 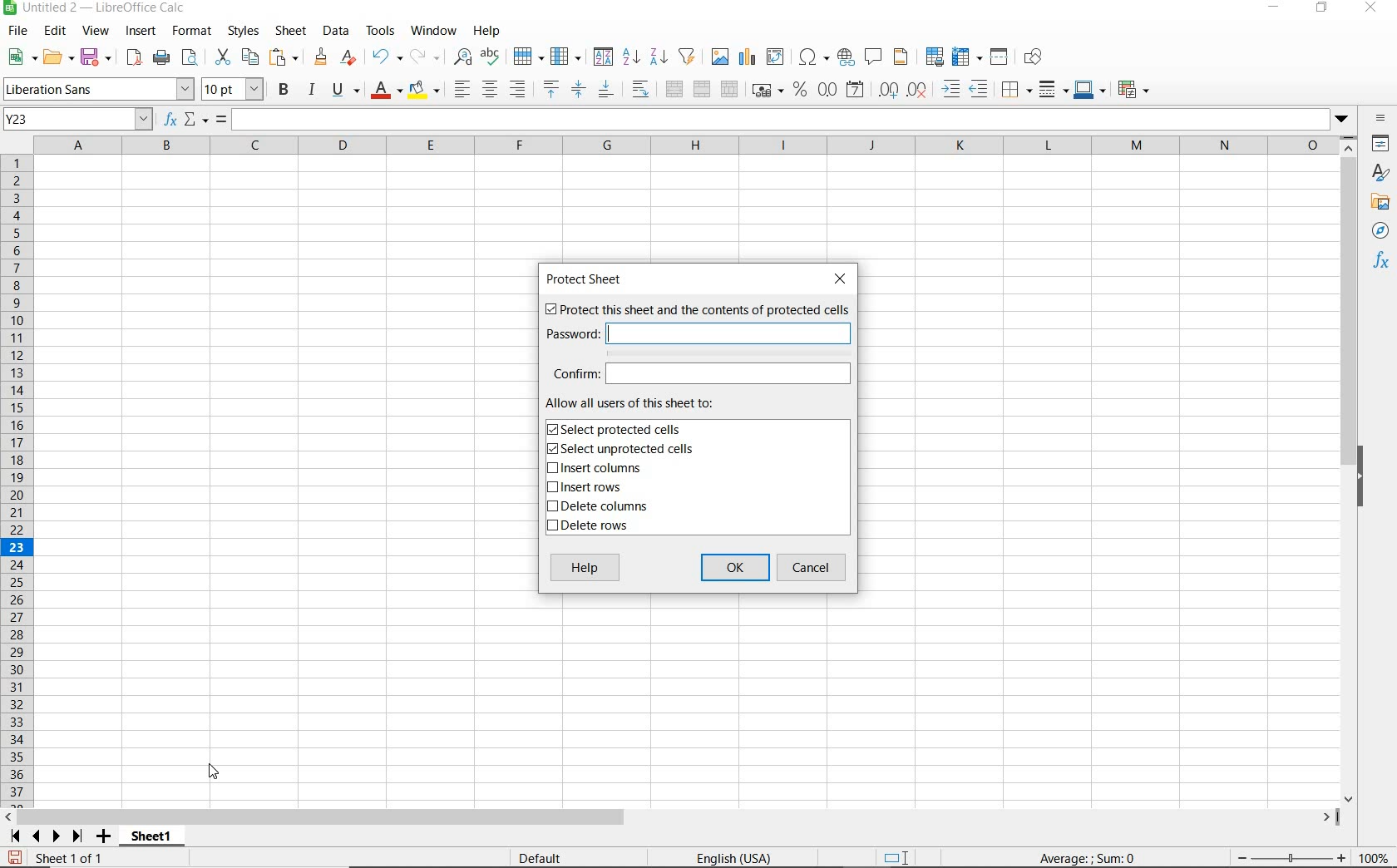 What do you see at coordinates (289, 32) in the screenshot?
I see `SHEET` at bounding box center [289, 32].